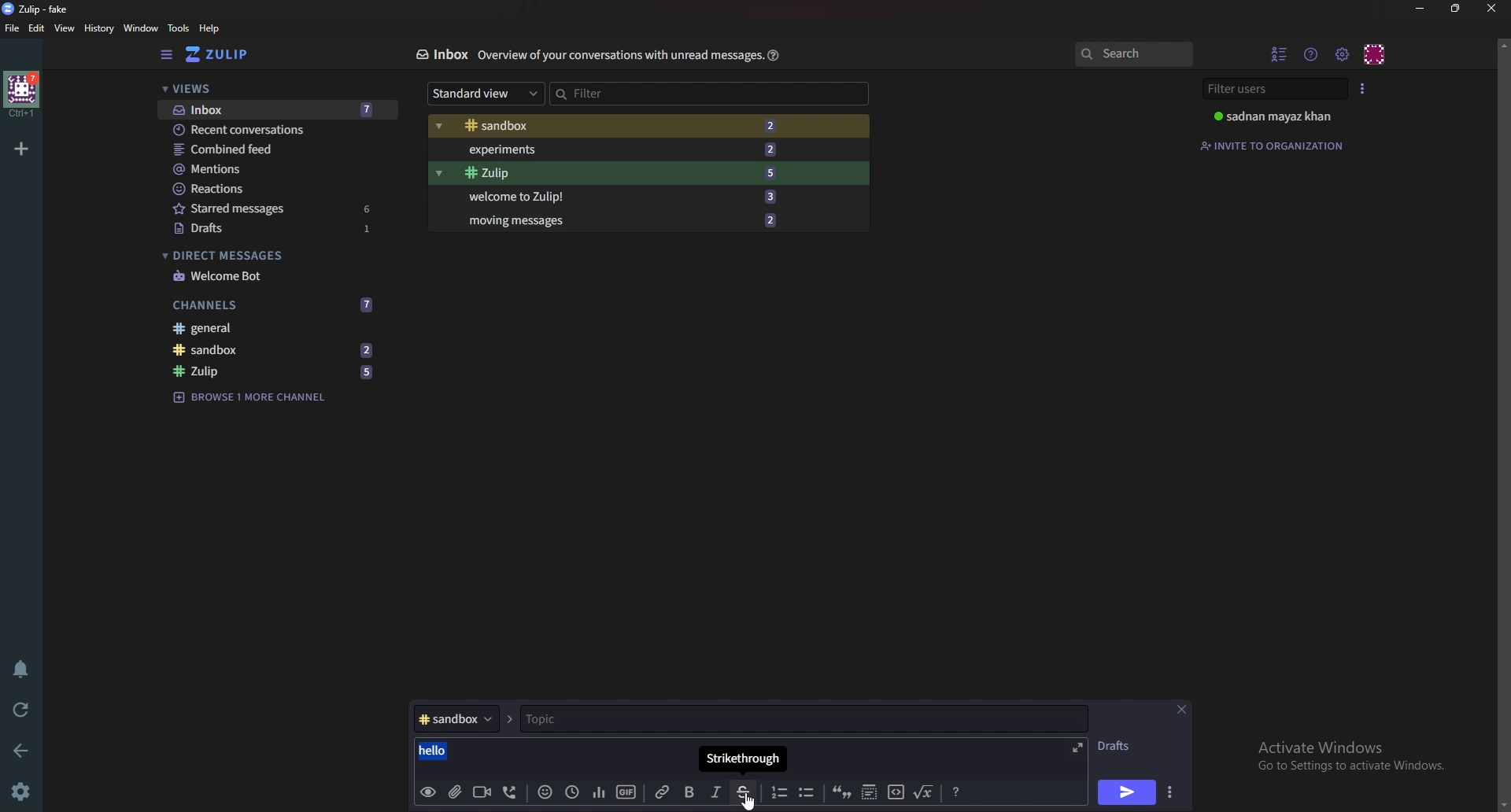 The height and width of the screenshot is (812, 1511). What do you see at coordinates (1172, 790) in the screenshot?
I see `Send options` at bounding box center [1172, 790].